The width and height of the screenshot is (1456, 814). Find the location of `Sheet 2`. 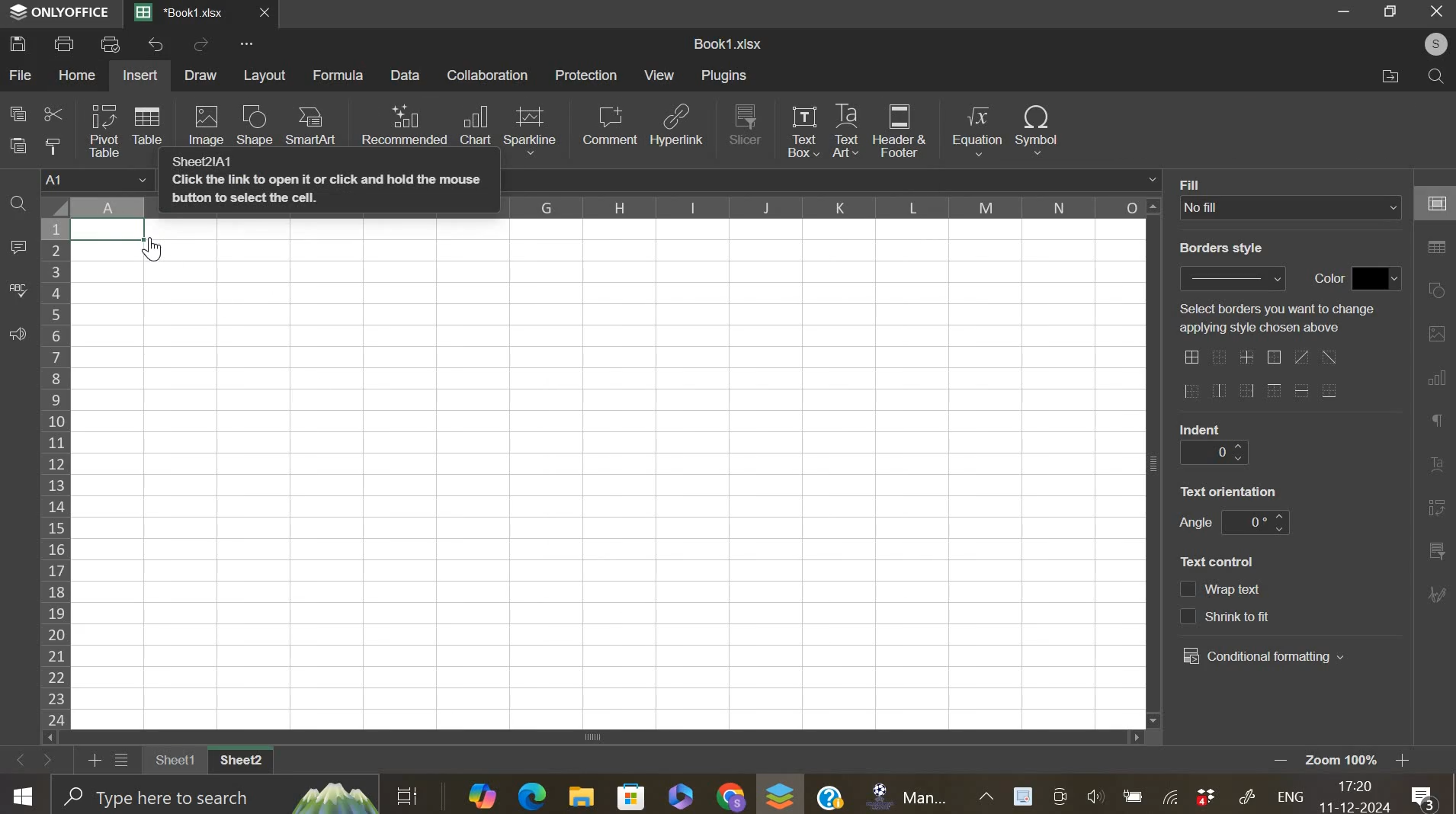

Sheet 2 is located at coordinates (242, 761).